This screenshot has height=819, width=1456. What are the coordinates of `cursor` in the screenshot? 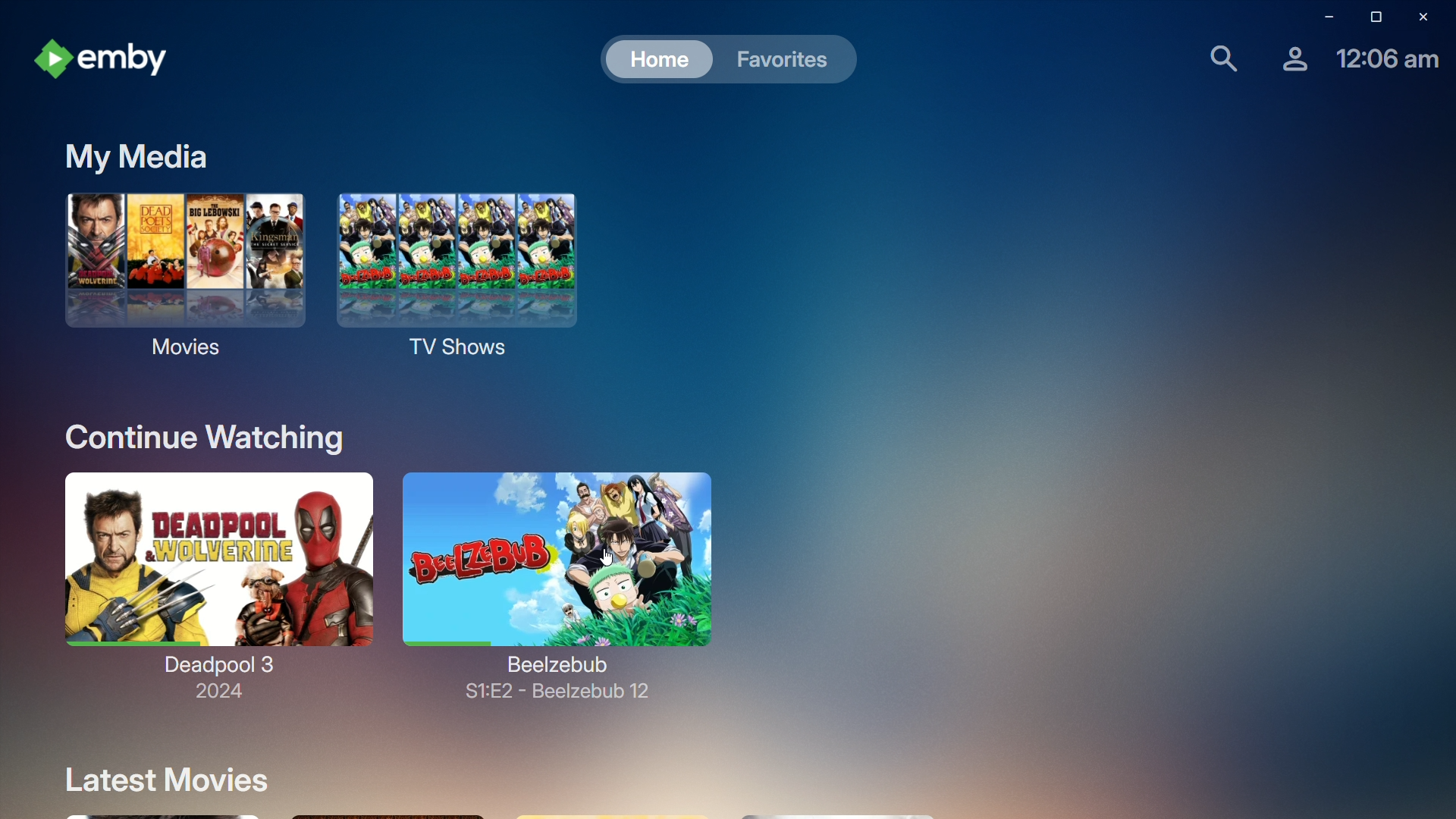 It's located at (607, 553).